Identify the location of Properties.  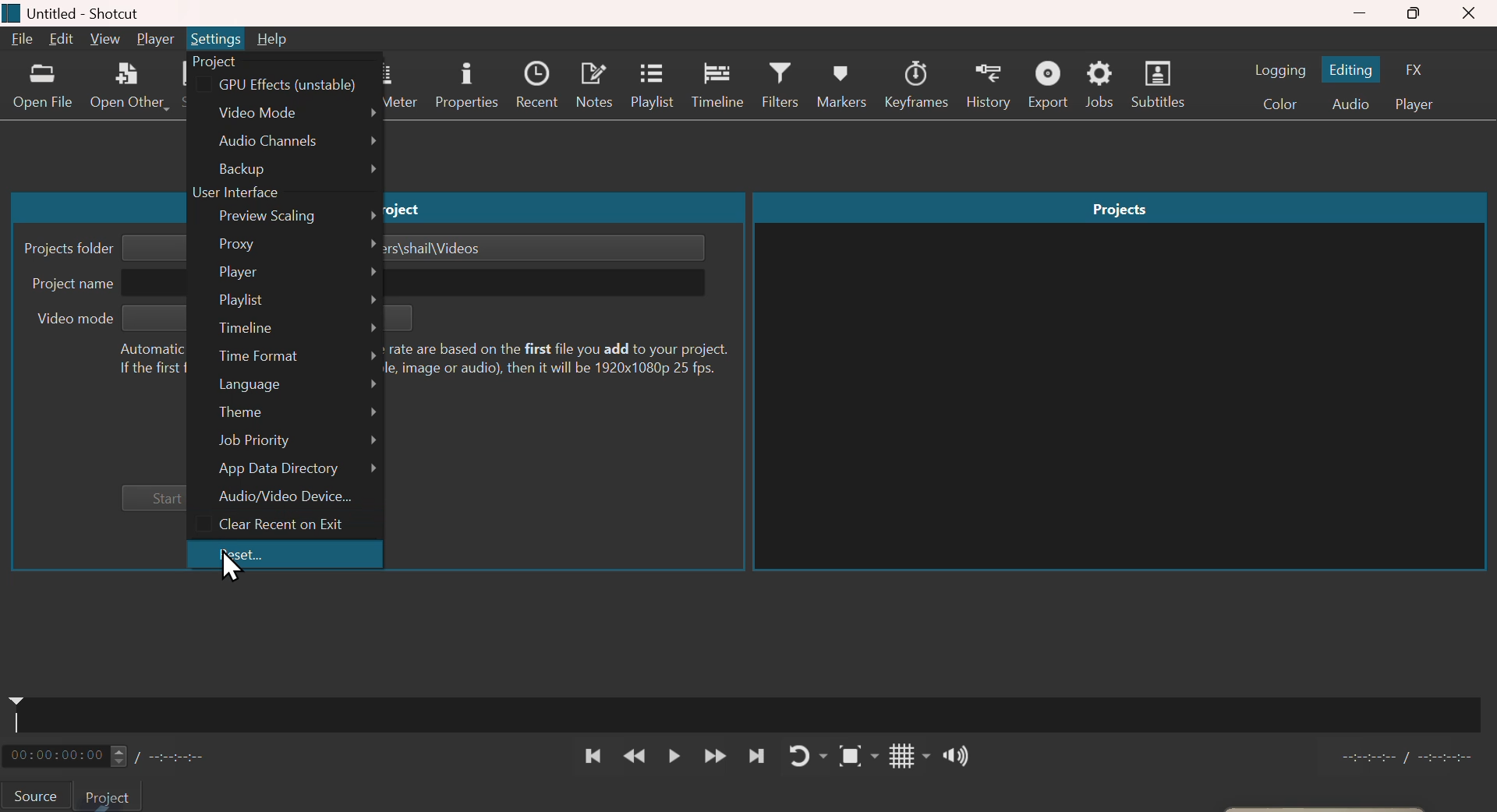
(464, 85).